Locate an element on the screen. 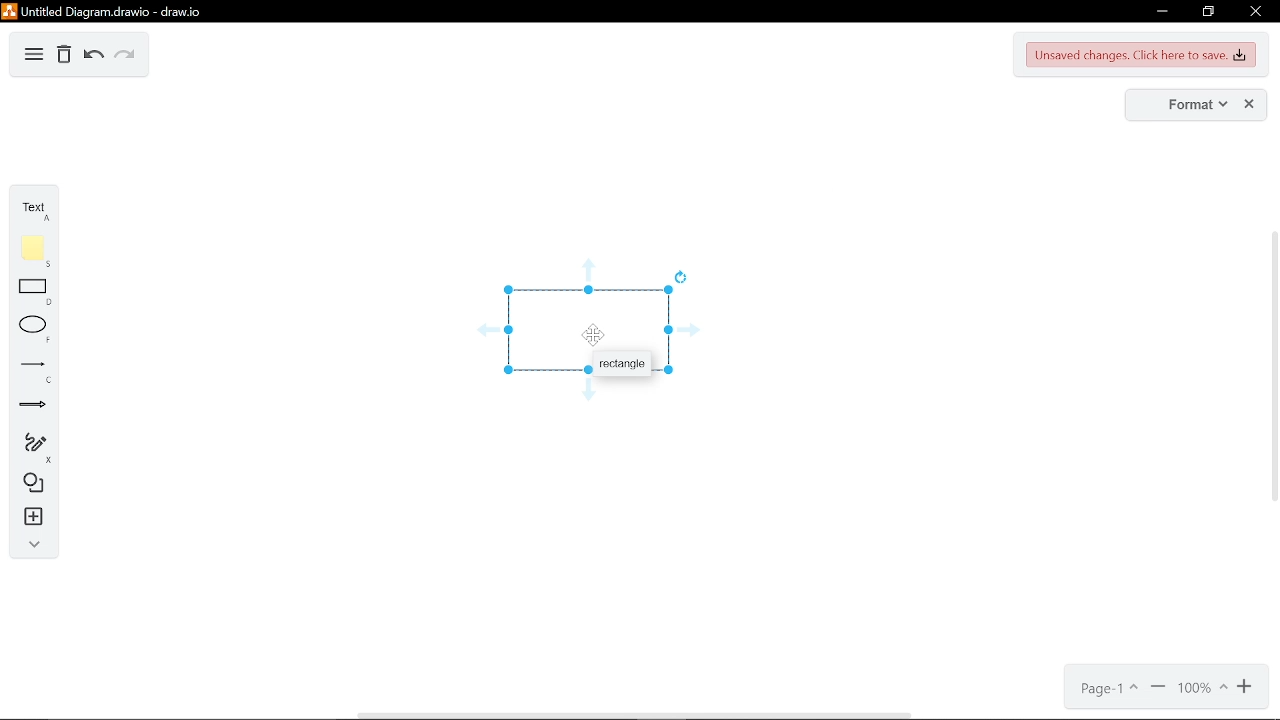 This screenshot has height=720, width=1280. close is located at coordinates (1251, 105).